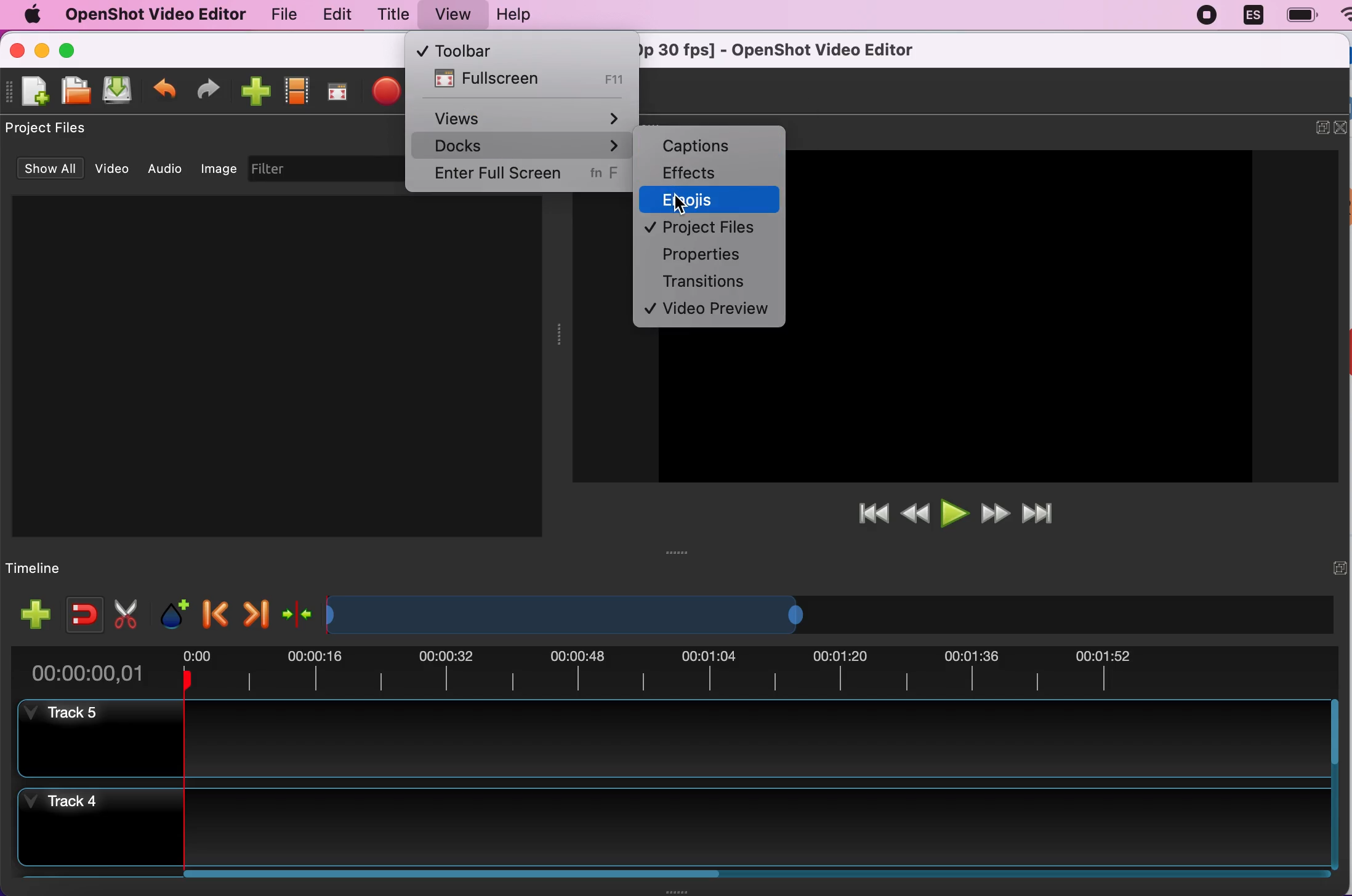 The width and height of the screenshot is (1352, 896). Describe the element at coordinates (709, 282) in the screenshot. I see `transitions` at that location.